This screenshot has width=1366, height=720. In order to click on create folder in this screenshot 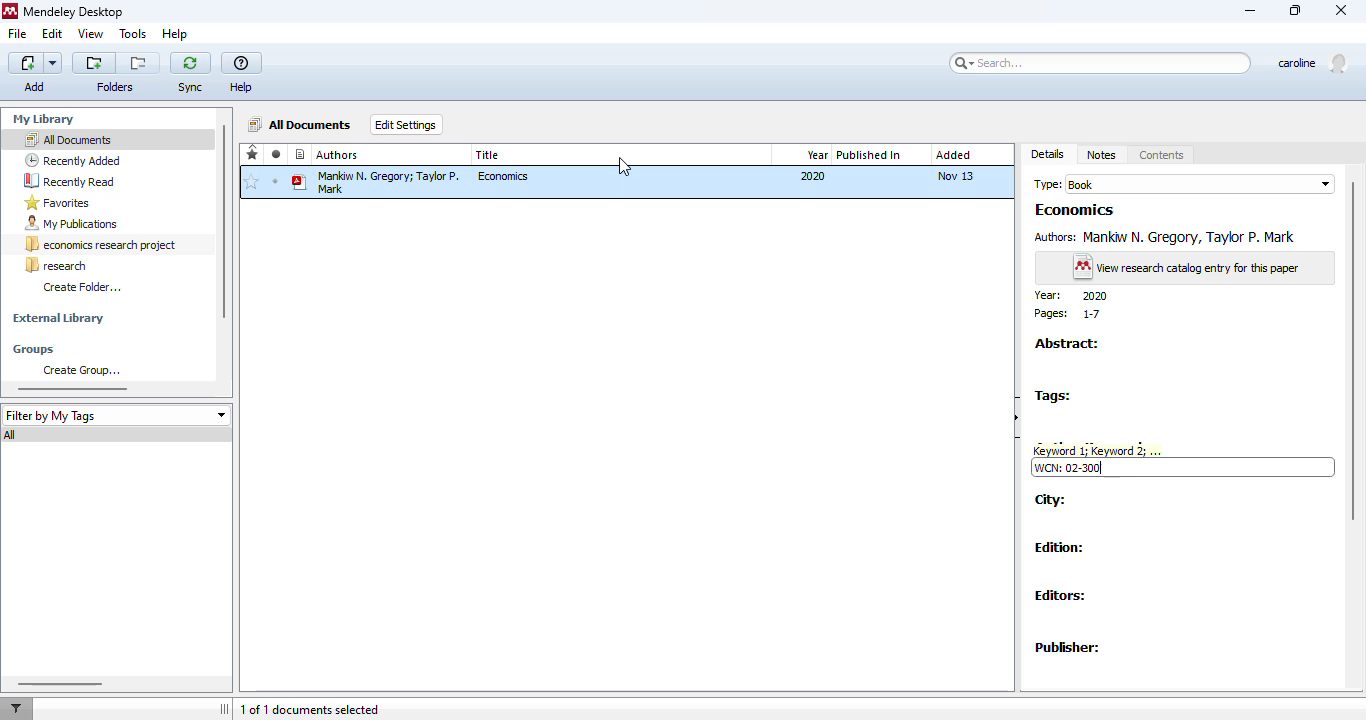, I will do `click(85, 287)`.